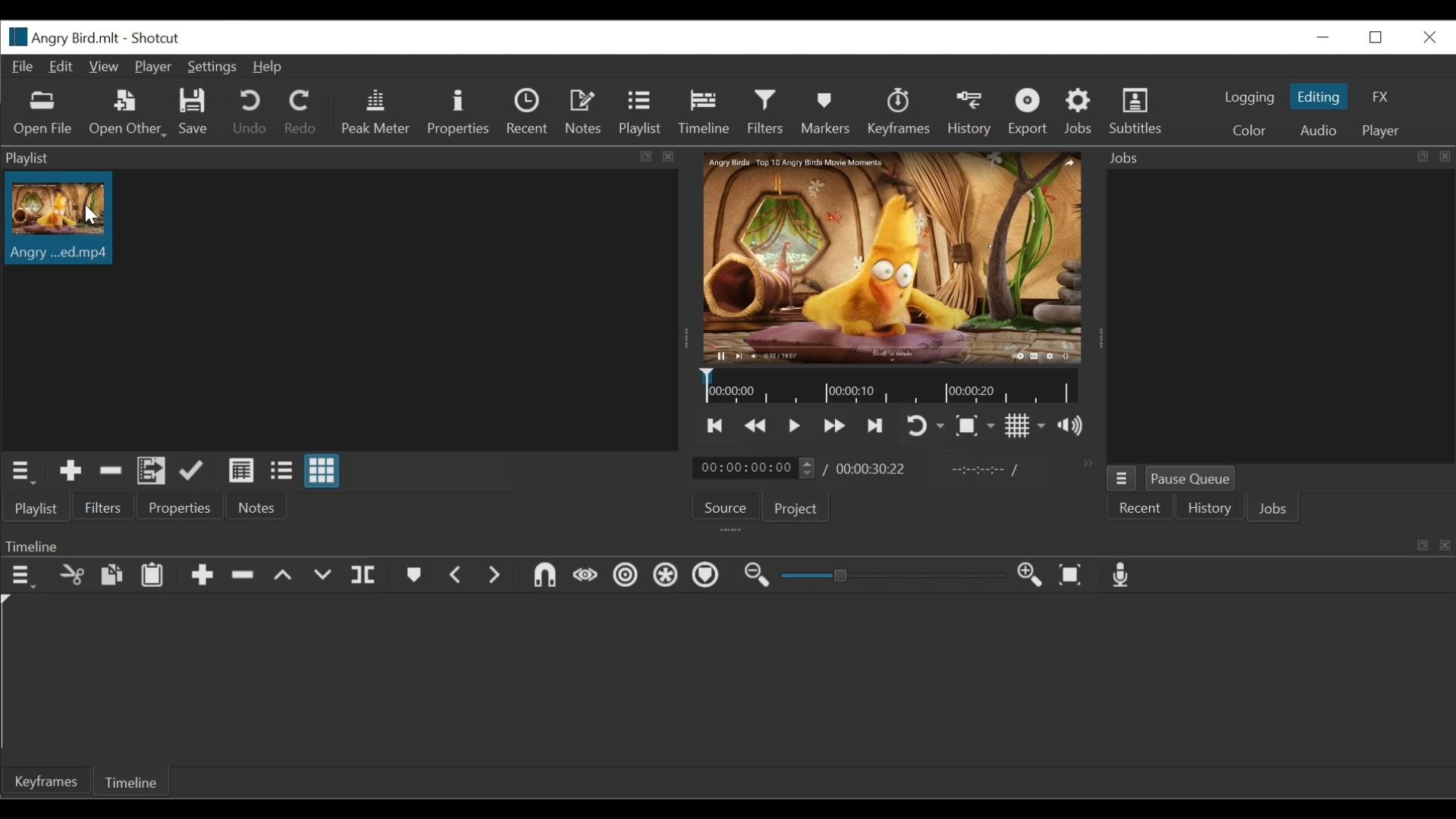  Describe the element at coordinates (792, 507) in the screenshot. I see `Project` at that location.